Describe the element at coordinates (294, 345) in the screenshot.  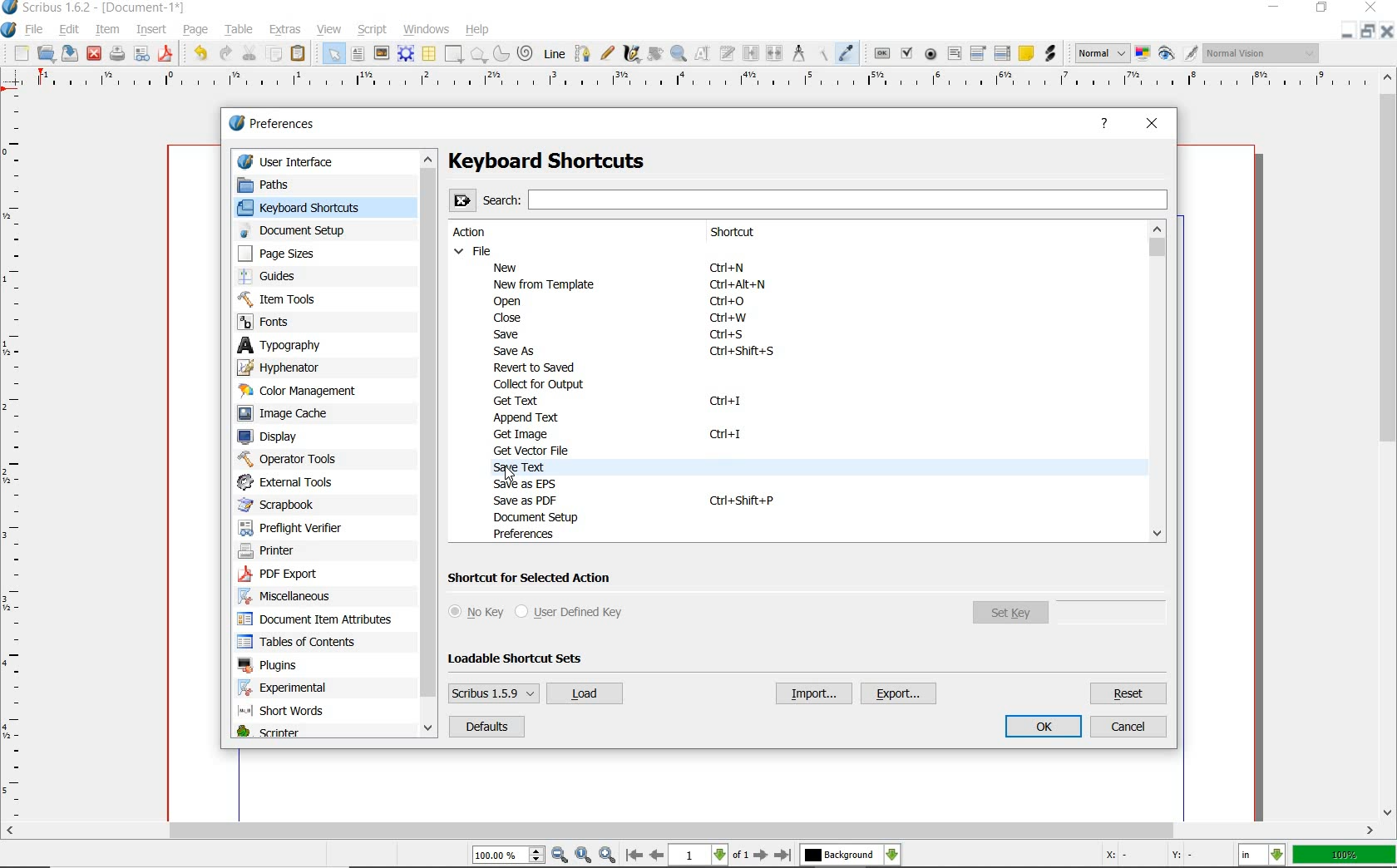
I see `typography` at that location.